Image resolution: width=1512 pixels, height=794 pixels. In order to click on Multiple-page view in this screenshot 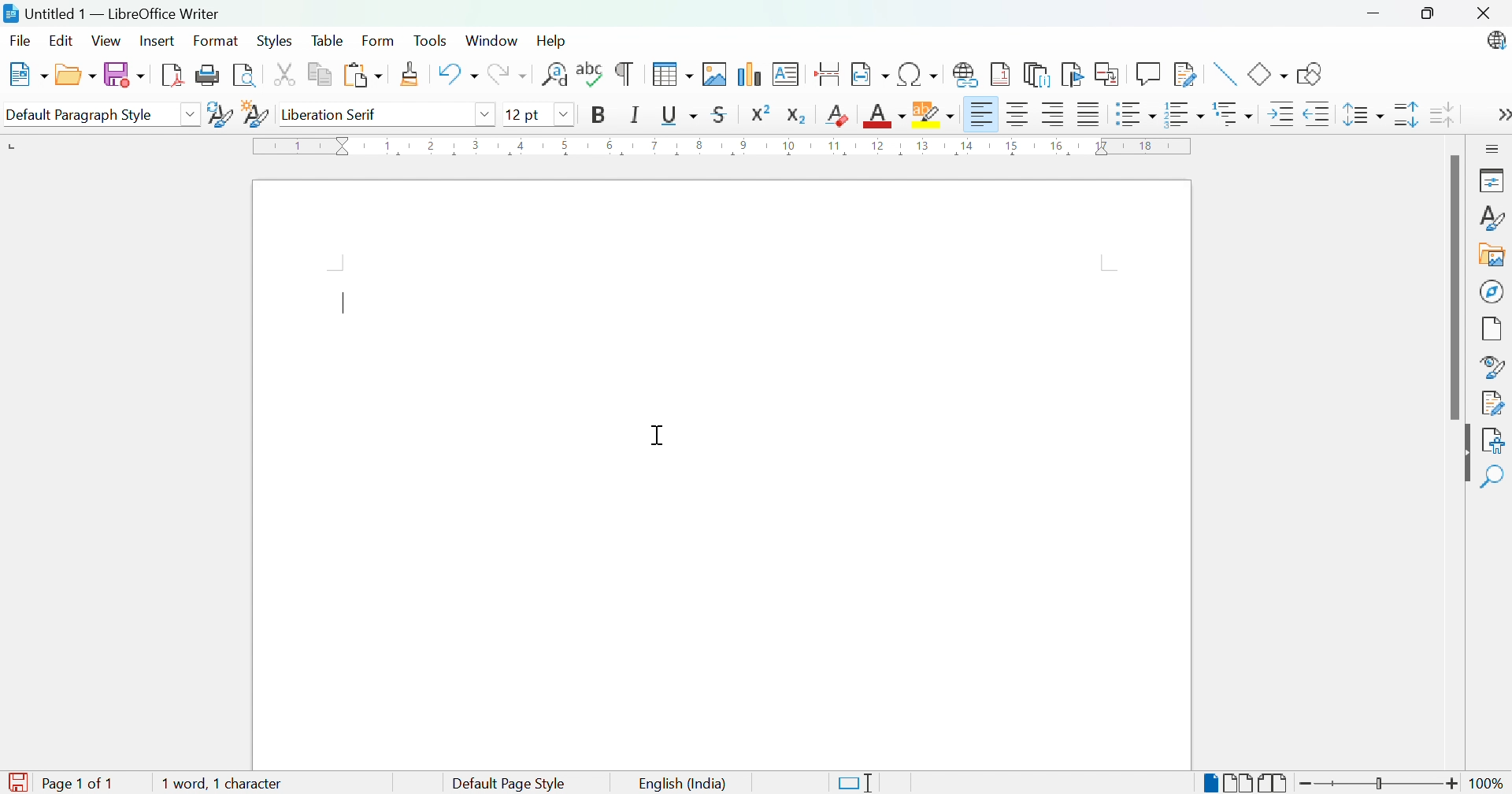, I will do `click(1240, 783)`.